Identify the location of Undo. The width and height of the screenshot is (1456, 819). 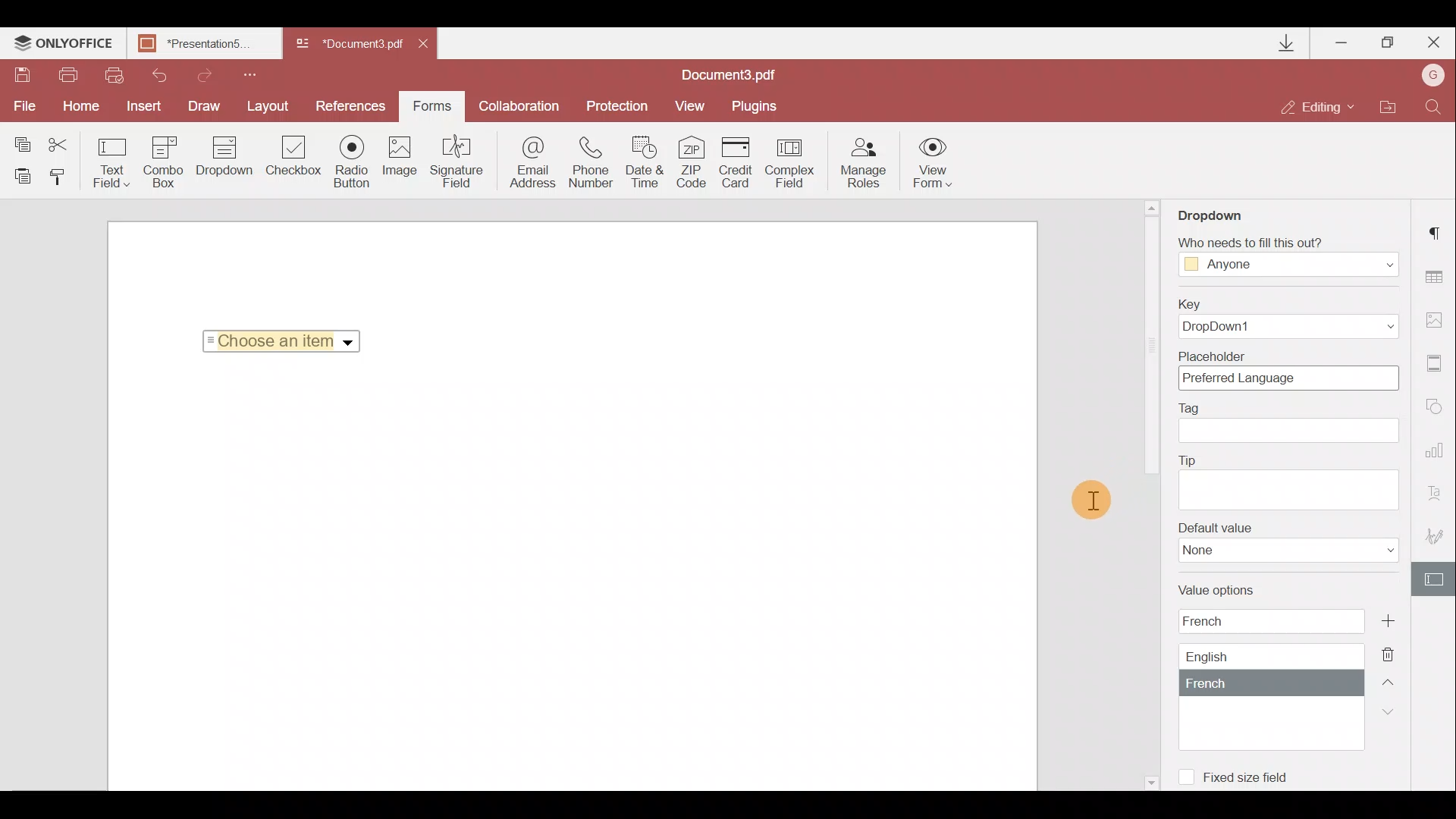
(153, 73).